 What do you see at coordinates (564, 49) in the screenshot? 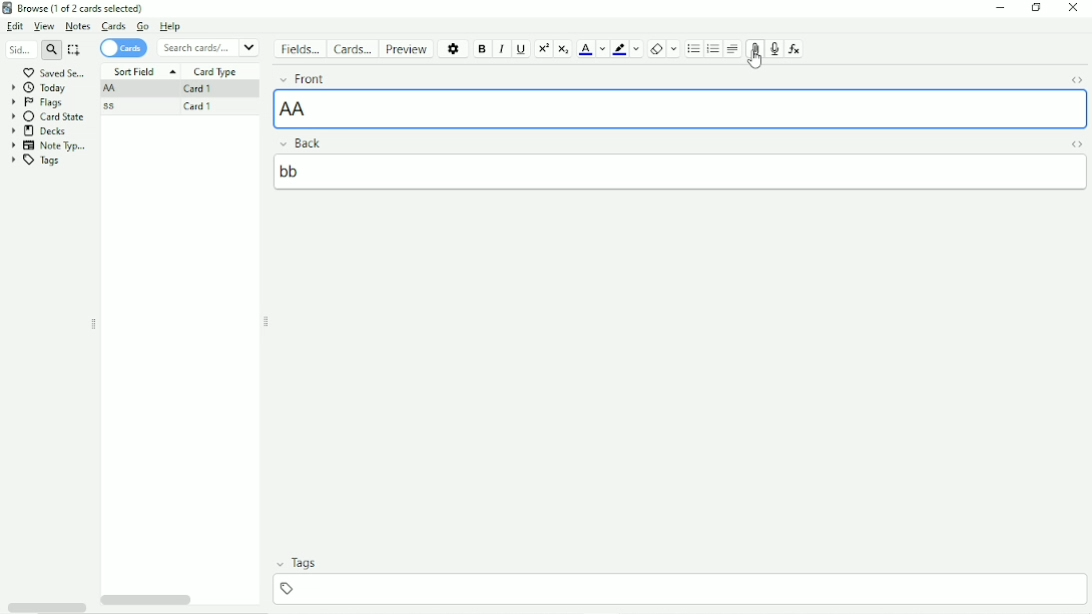
I see `Subscript` at bounding box center [564, 49].